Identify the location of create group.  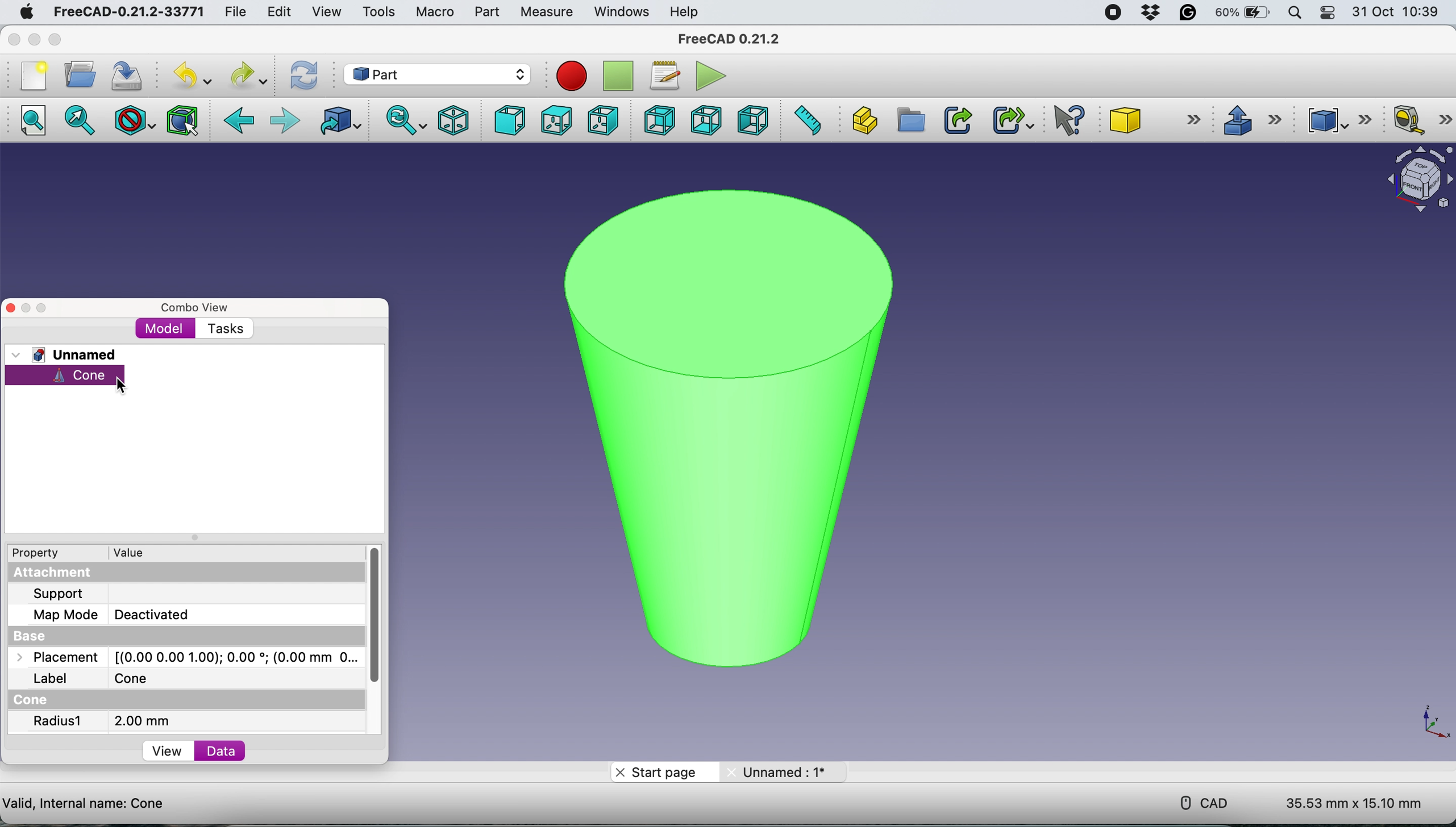
(910, 121).